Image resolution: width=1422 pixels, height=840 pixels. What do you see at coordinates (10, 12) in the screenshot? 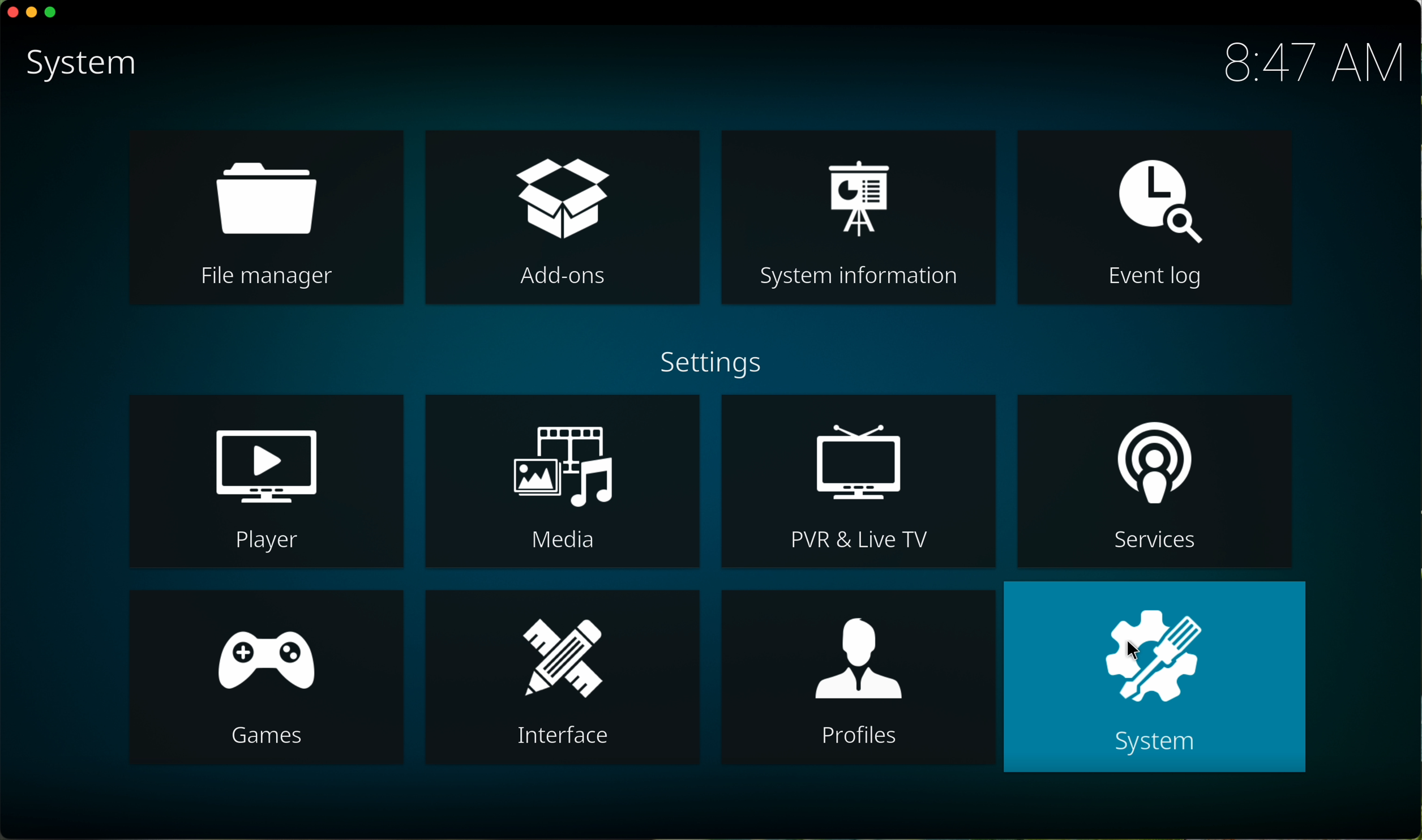
I see `close` at bounding box center [10, 12].